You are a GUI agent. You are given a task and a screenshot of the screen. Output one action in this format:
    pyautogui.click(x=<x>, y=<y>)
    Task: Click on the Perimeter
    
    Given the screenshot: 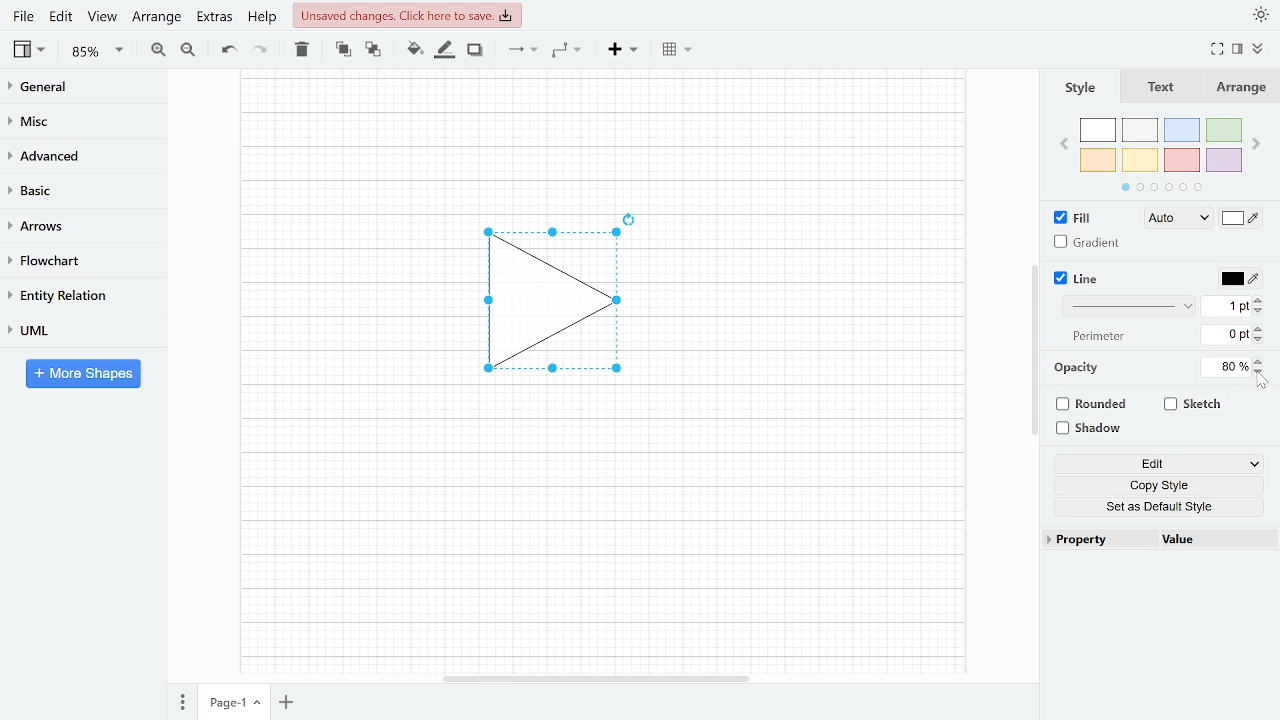 What is the action you would take?
    pyautogui.click(x=1095, y=337)
    